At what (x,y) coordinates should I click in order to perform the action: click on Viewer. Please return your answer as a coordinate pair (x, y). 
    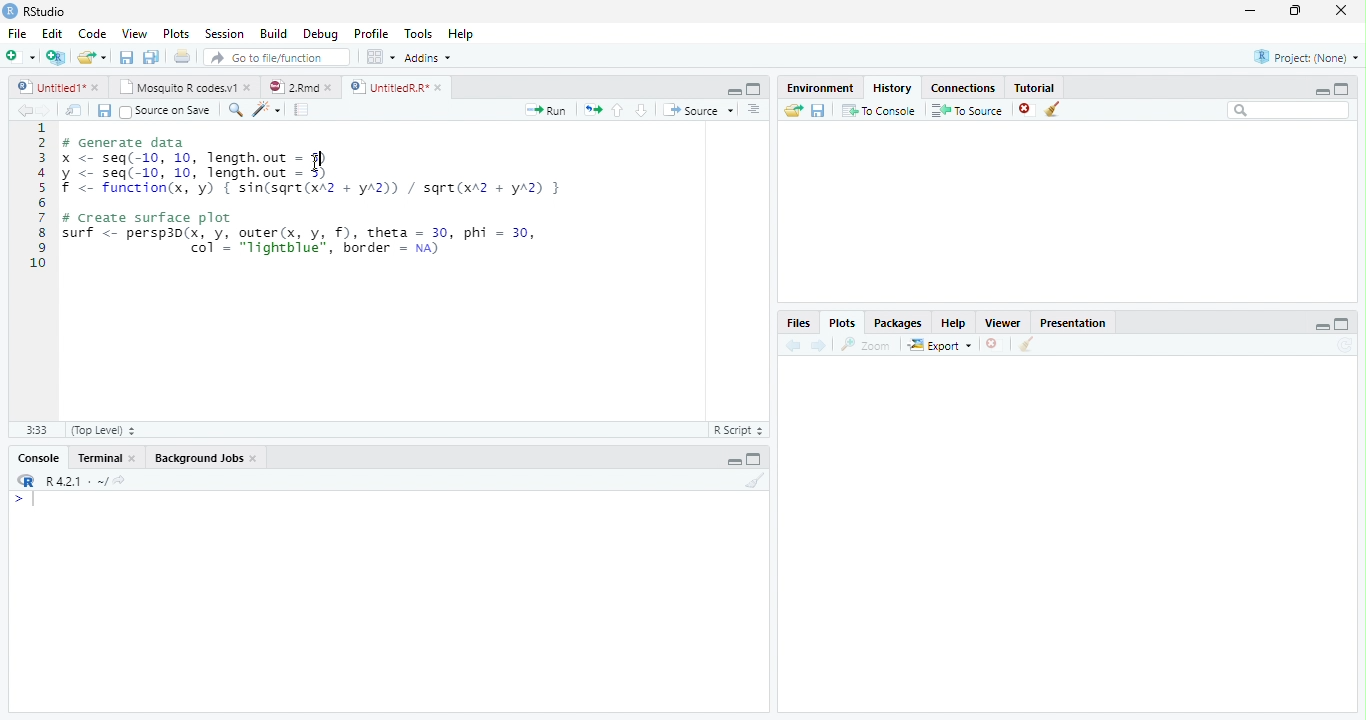
    Looking at the image, I should click on (1002, 322).